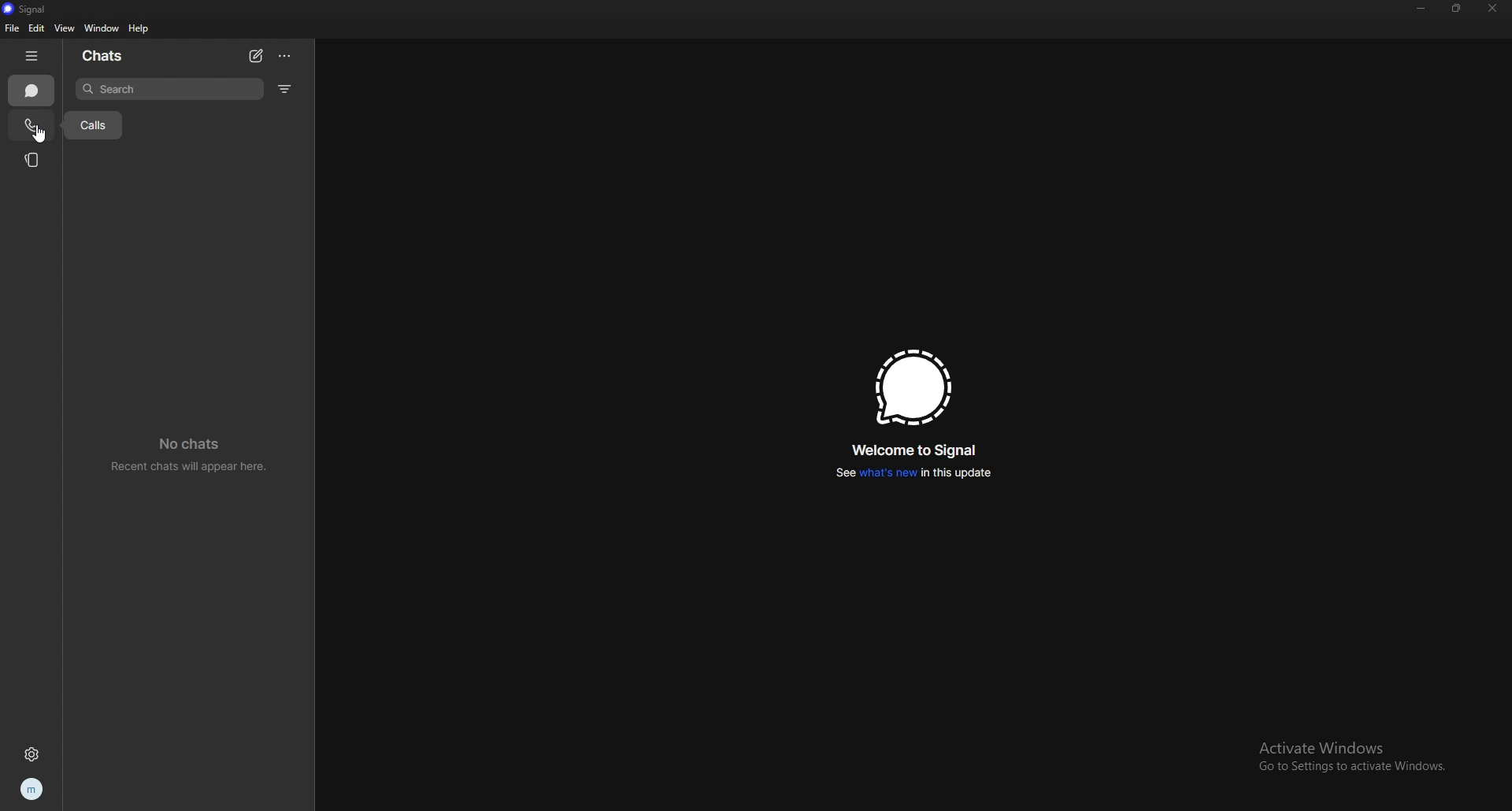 Image resolution: width=1512 pixels, height=811 pixels. I want to click on welcome, so click(915, 449).